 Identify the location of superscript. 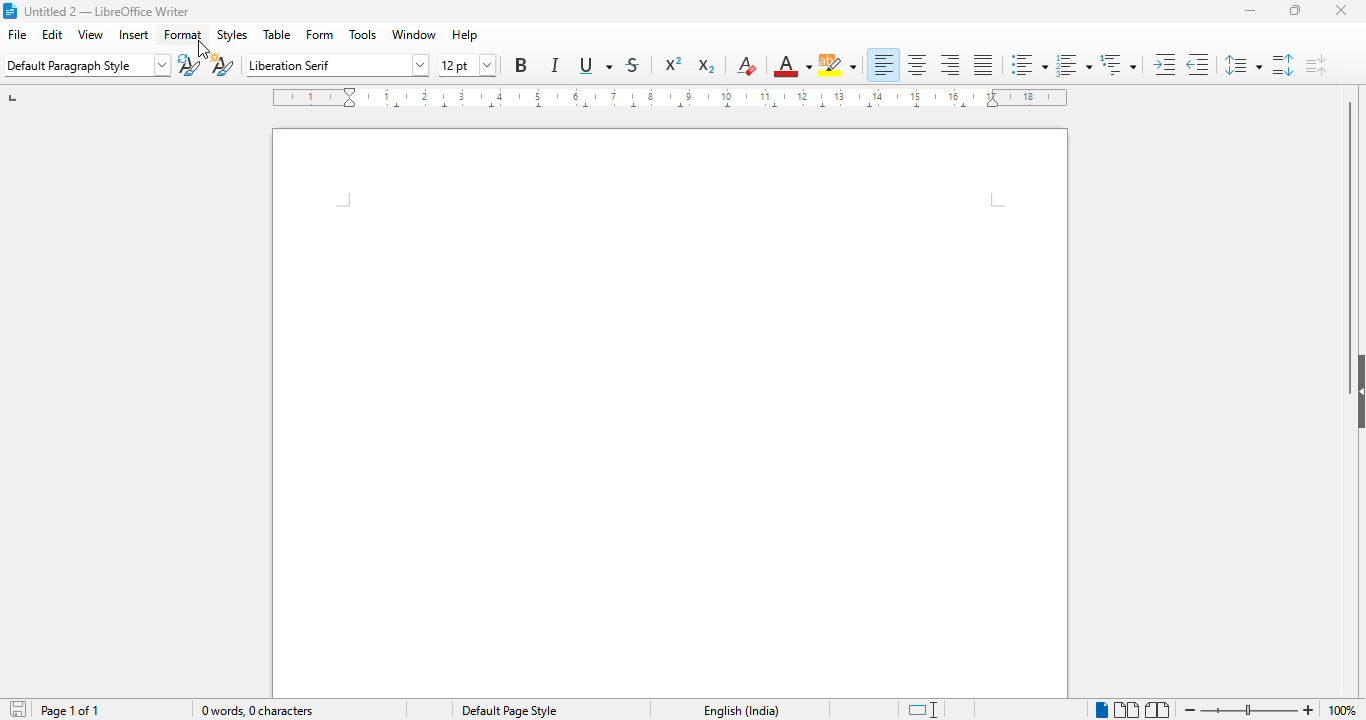
(673, 62).